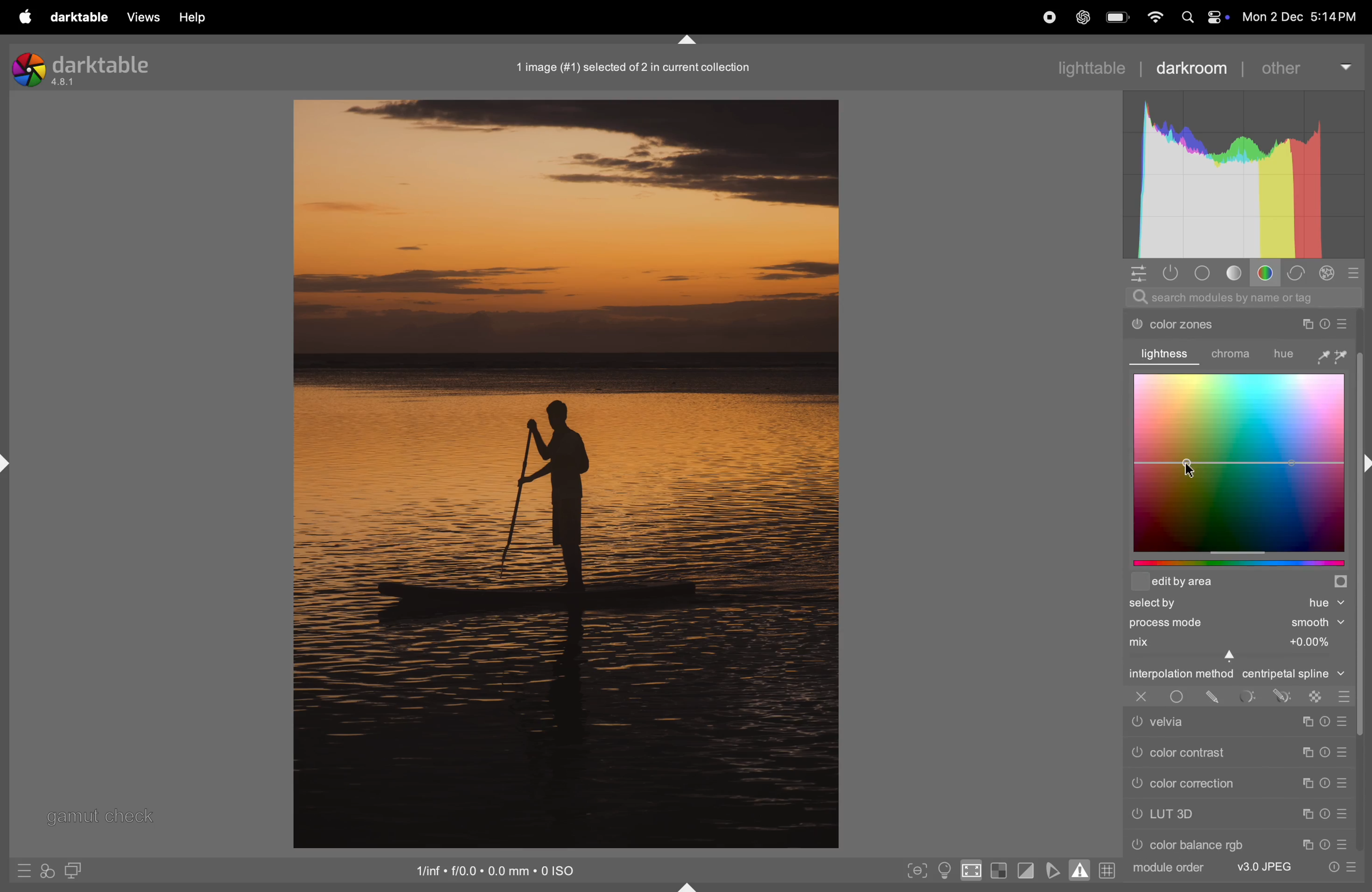 This screenshot has height=892, width=1372. What do you see at coordinates (1169, 870) in the screenshot?
I see `module order` at bounding box center [1169, 870].